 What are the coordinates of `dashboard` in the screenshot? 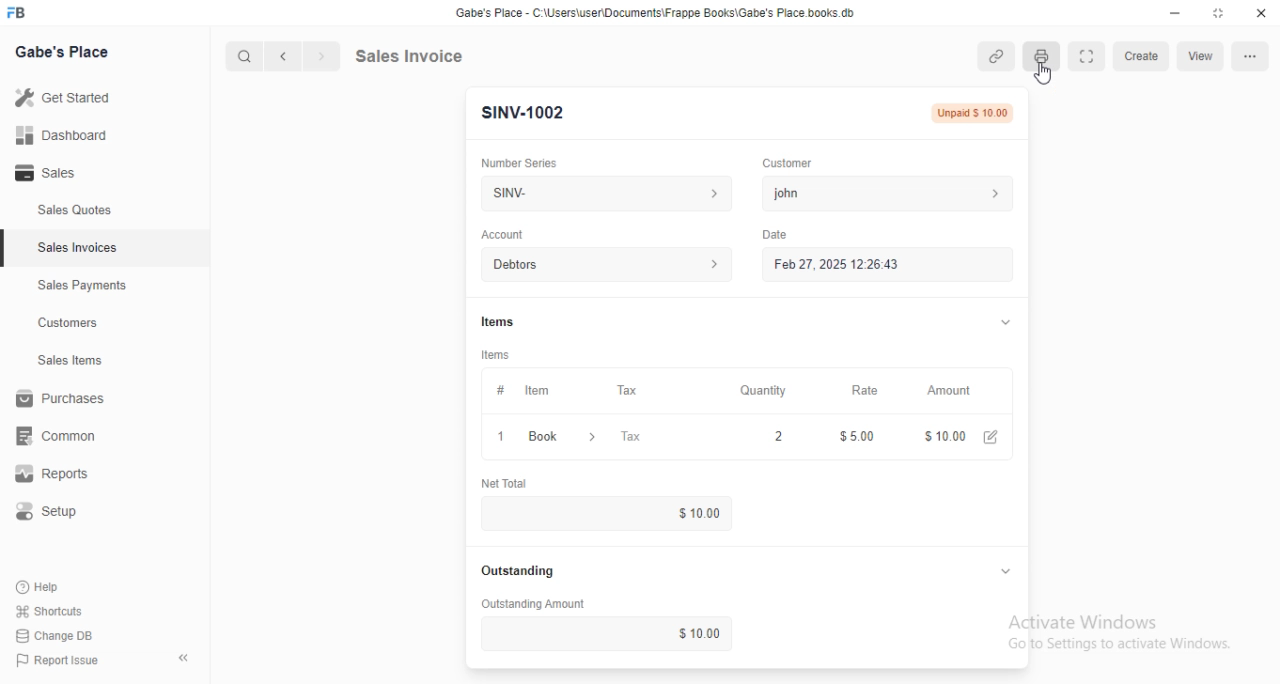 It's located at (62, 135).